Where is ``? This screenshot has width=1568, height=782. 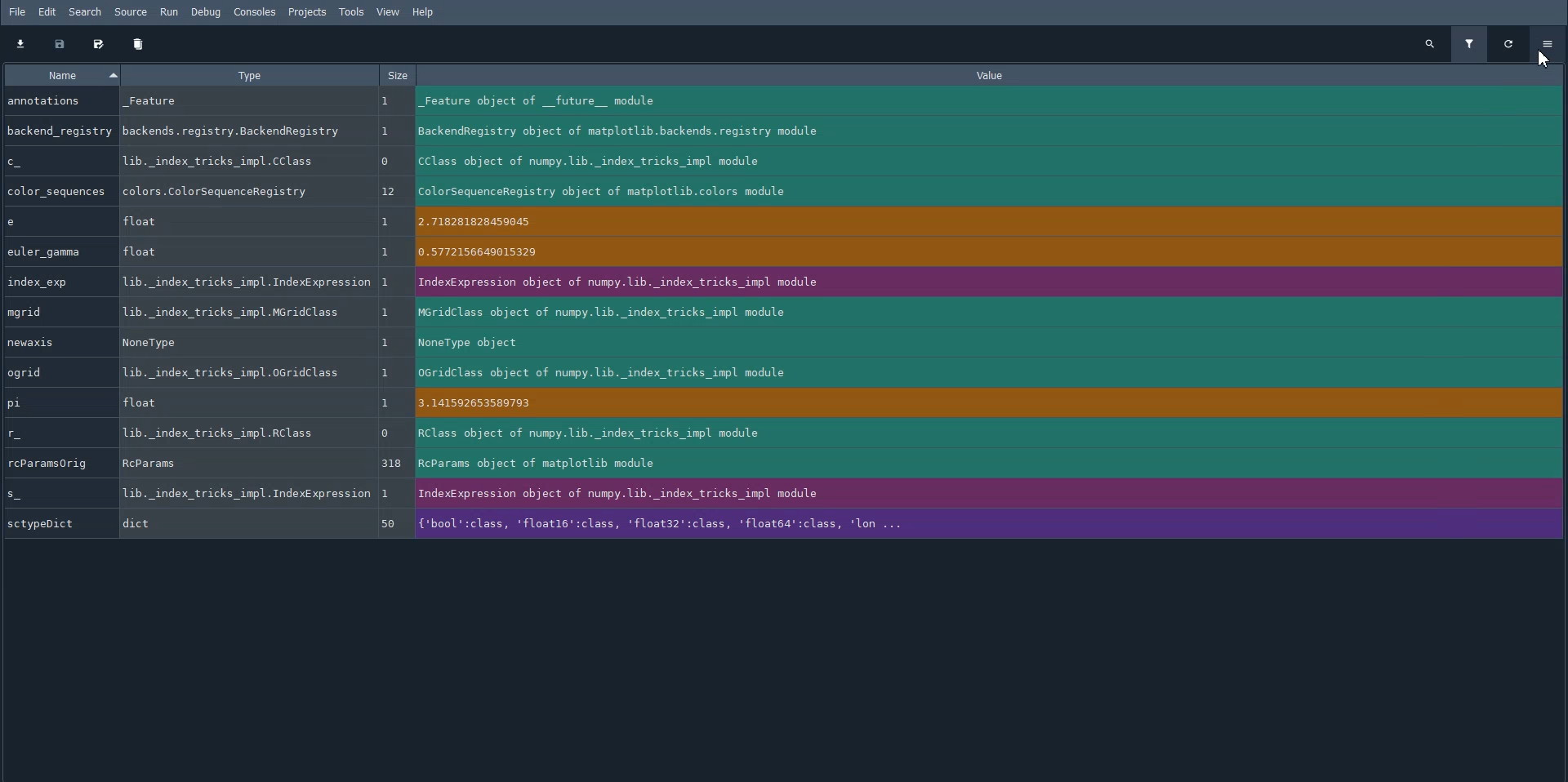  is located at coordinates (386, 251).